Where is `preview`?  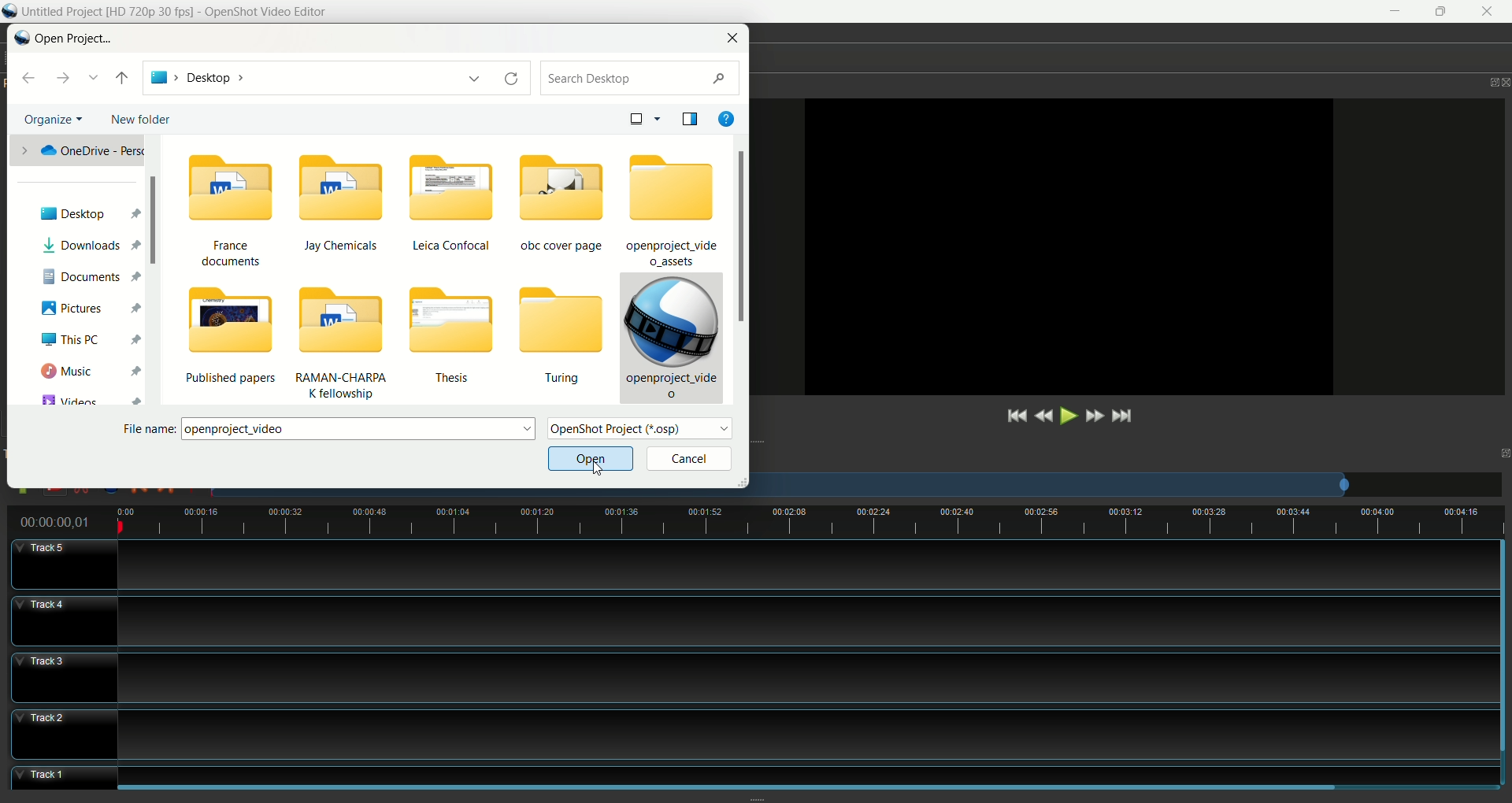 preview is located at coordinates (1060, 249).